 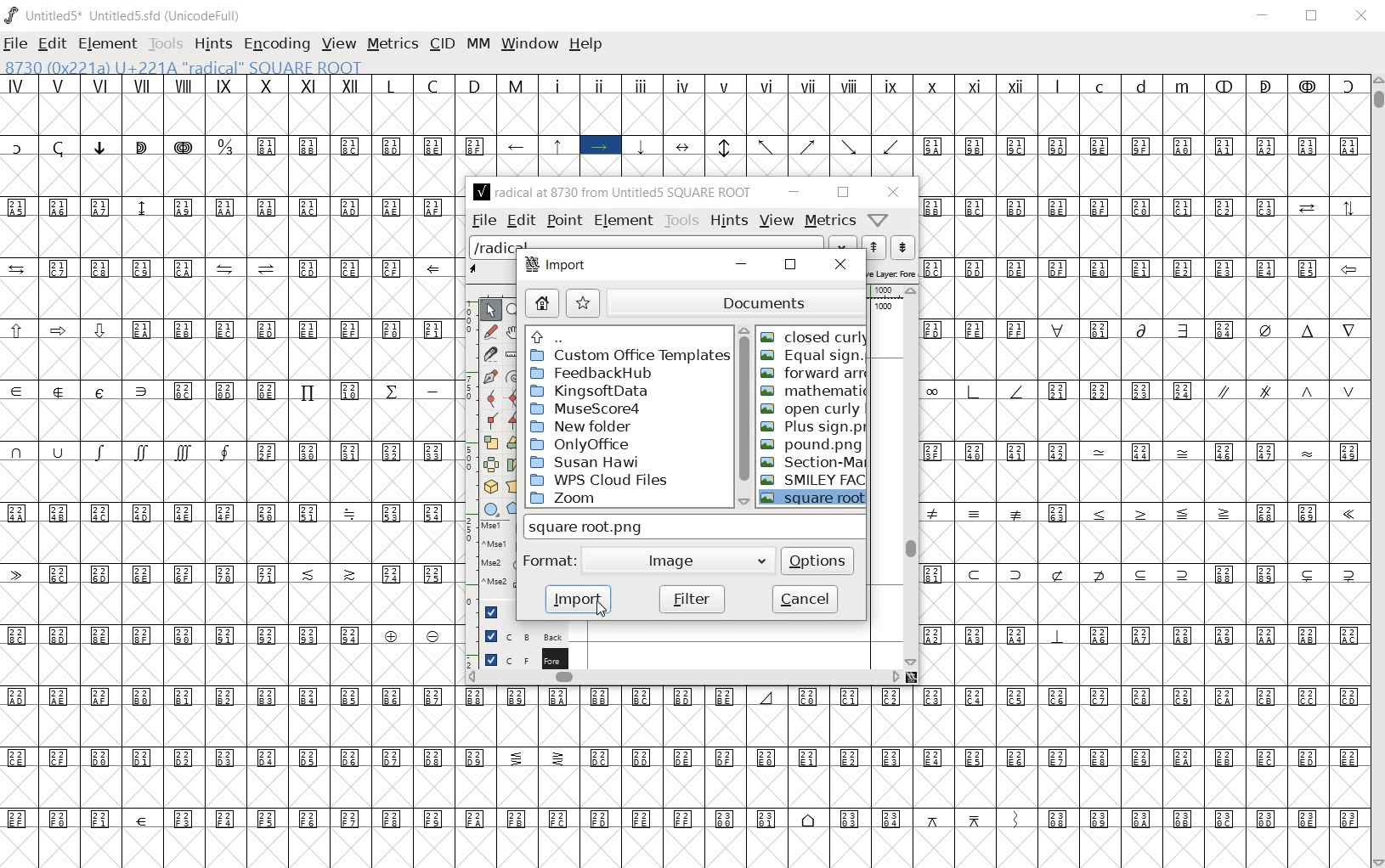 I want to click on import, so click(x=578, y=600).